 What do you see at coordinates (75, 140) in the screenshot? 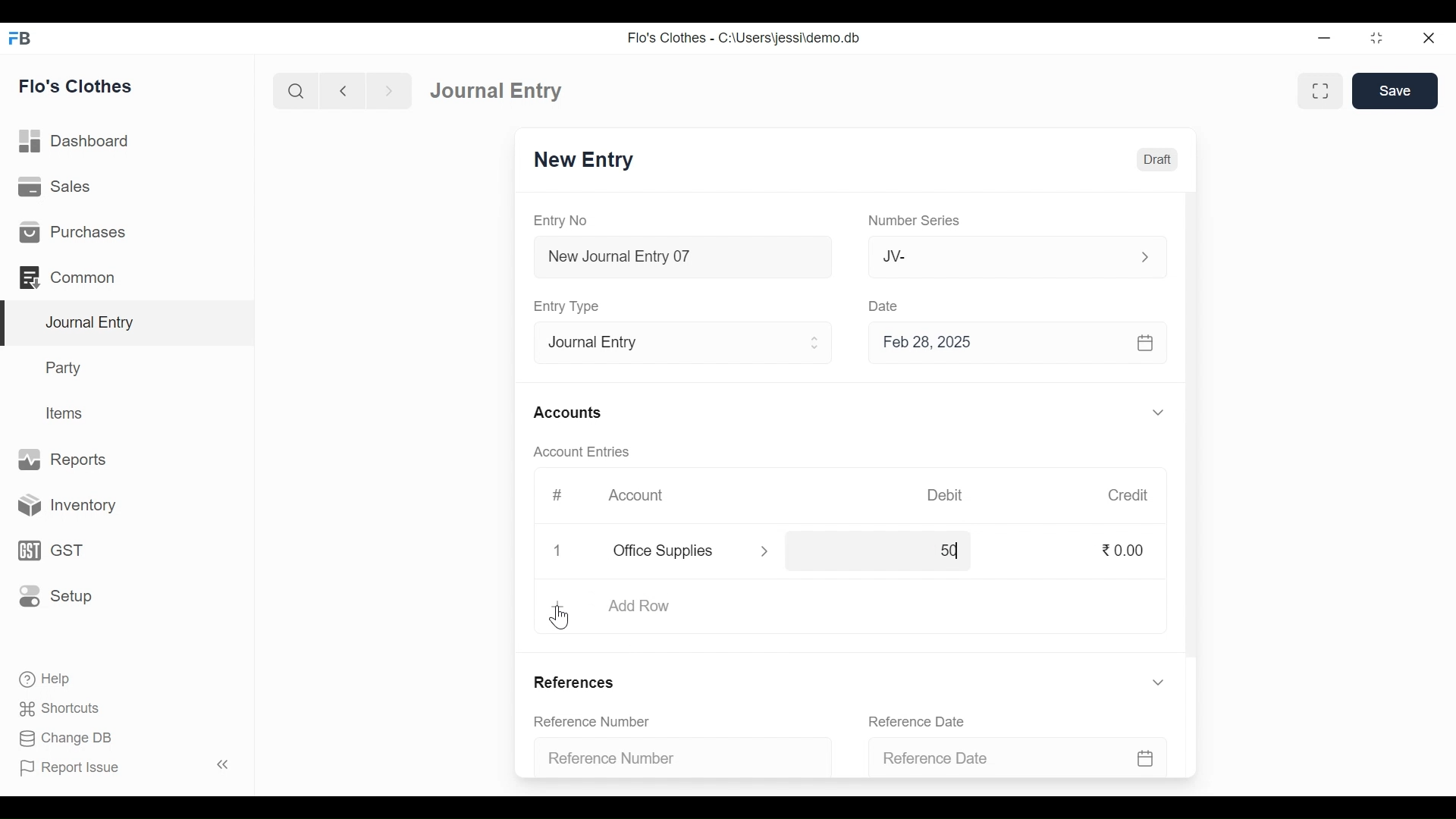
I see `Dashboard` at bounding box center [75, 140].